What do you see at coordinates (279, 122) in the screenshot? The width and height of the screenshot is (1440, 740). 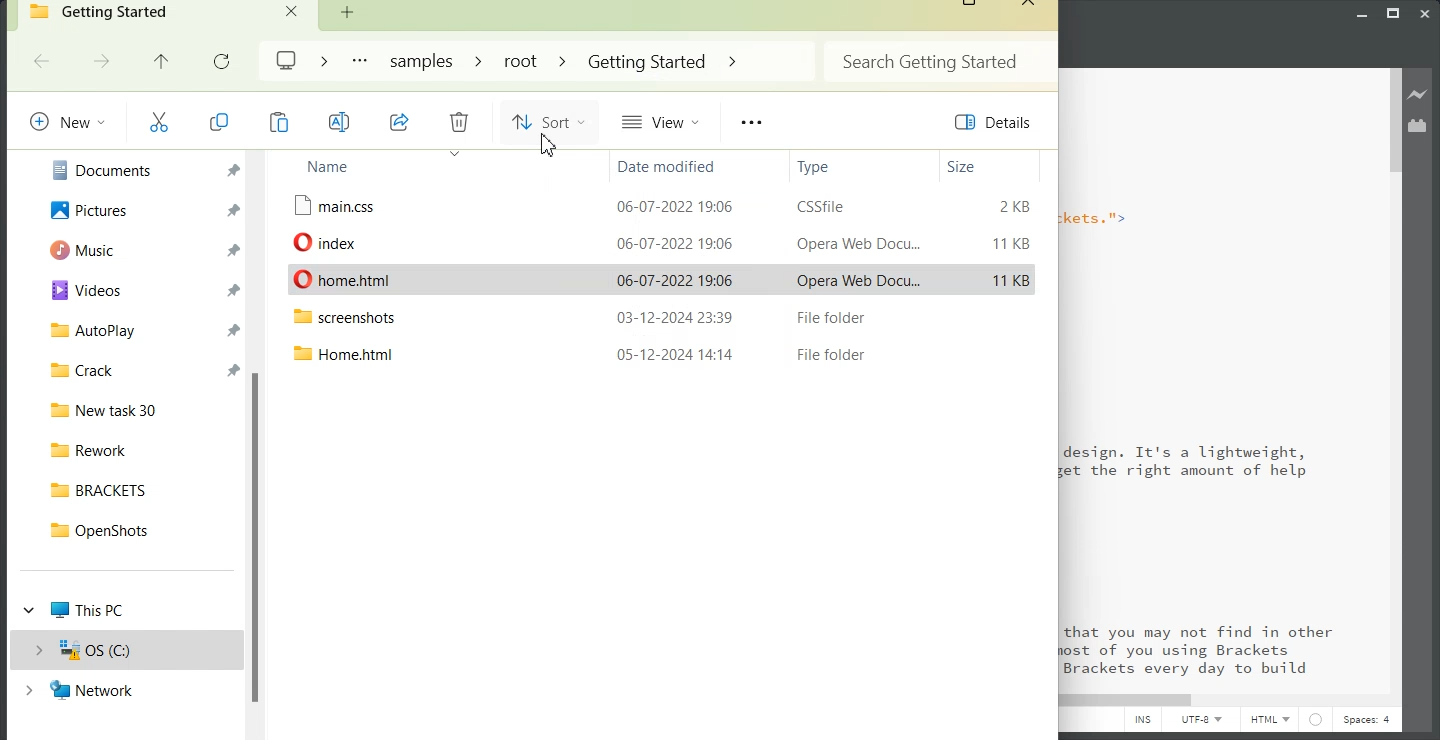 I see `Copy` at bounding box center [279, 122].